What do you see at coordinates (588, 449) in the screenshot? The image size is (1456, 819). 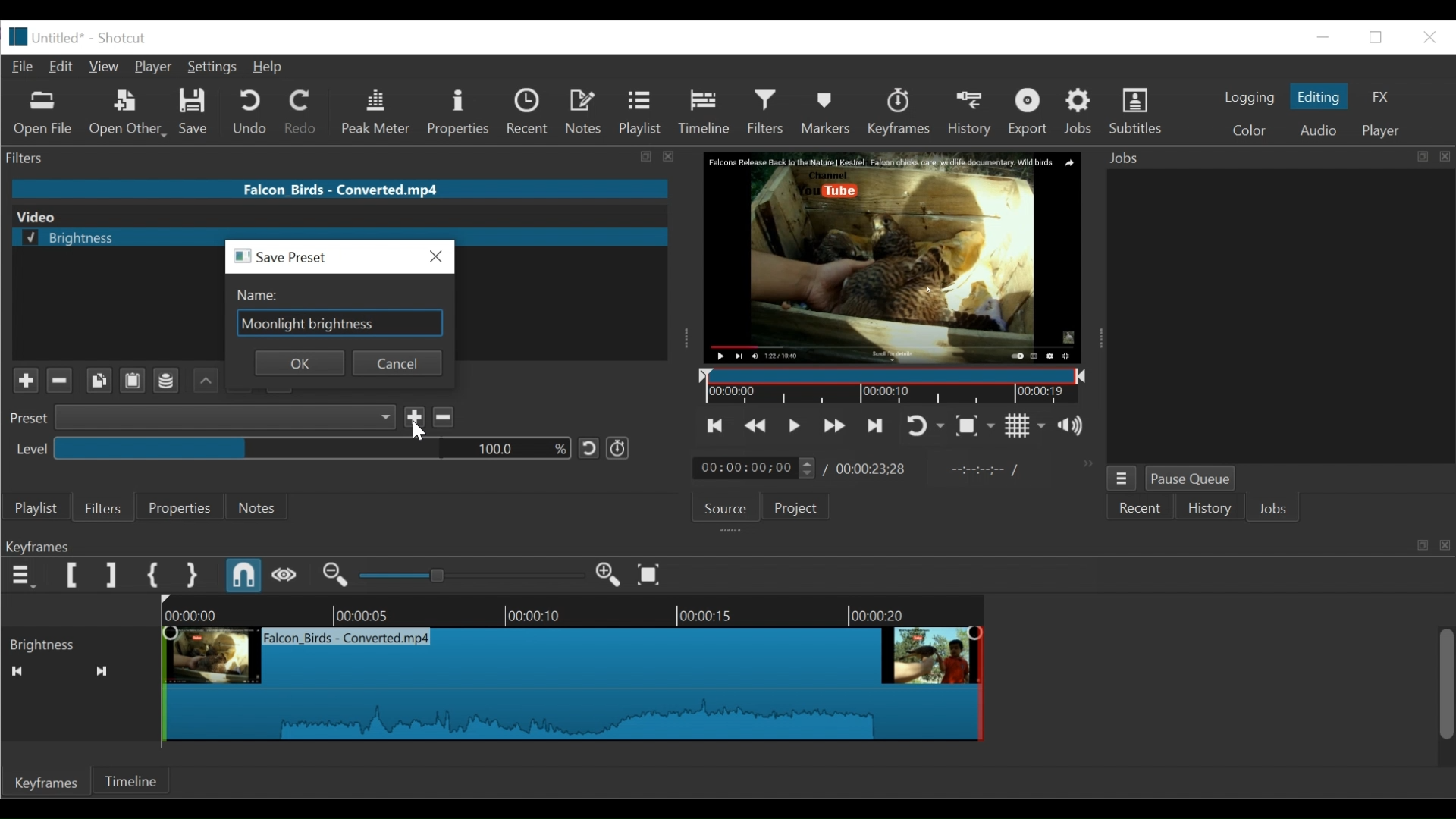 I see `Reset to Default` at bounding box center [588, 449].